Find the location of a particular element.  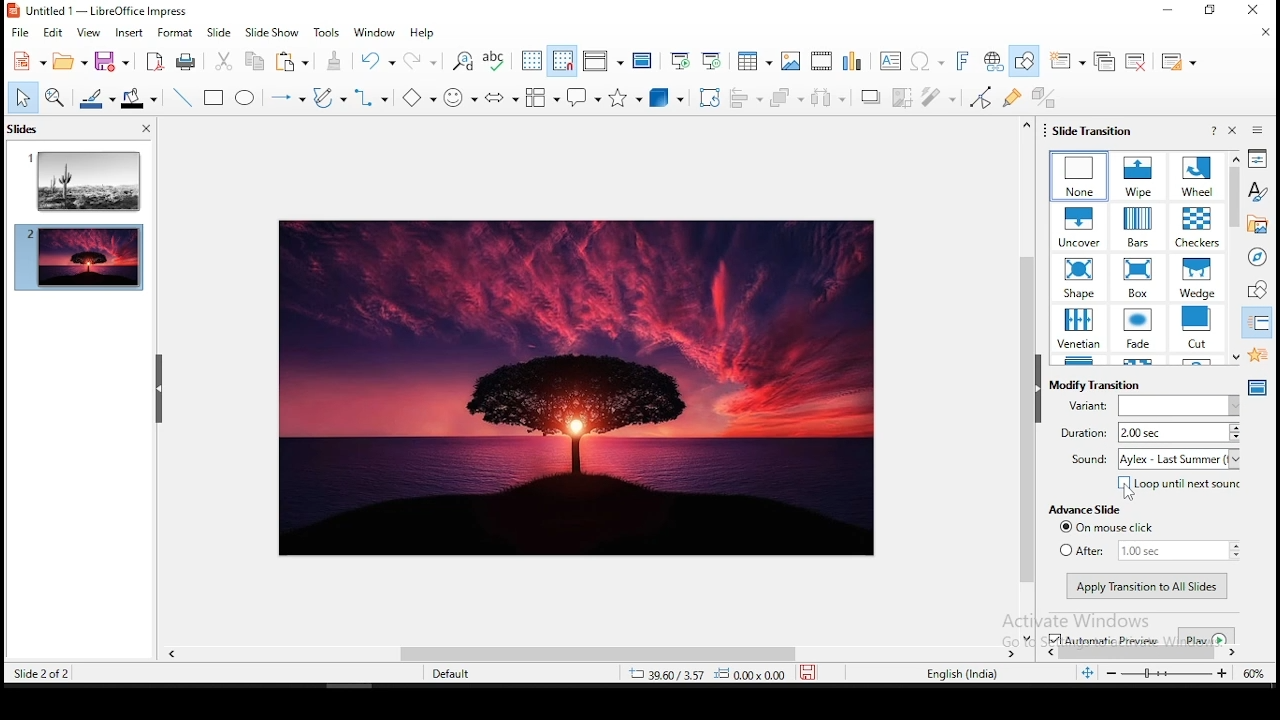

help is located at coordinates (423, 36).